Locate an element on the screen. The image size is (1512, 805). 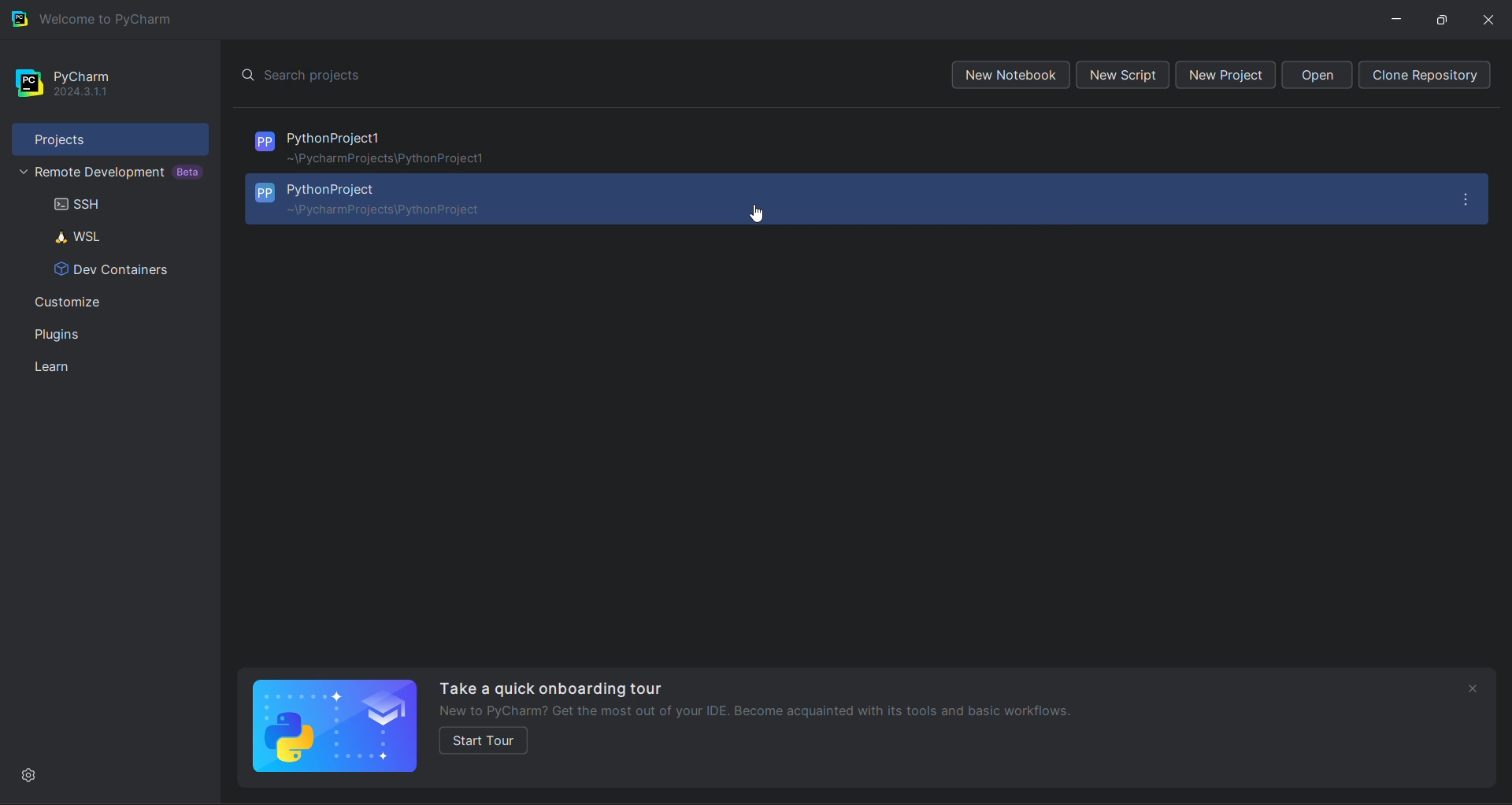
start tour is located at coordinates (485, 741).